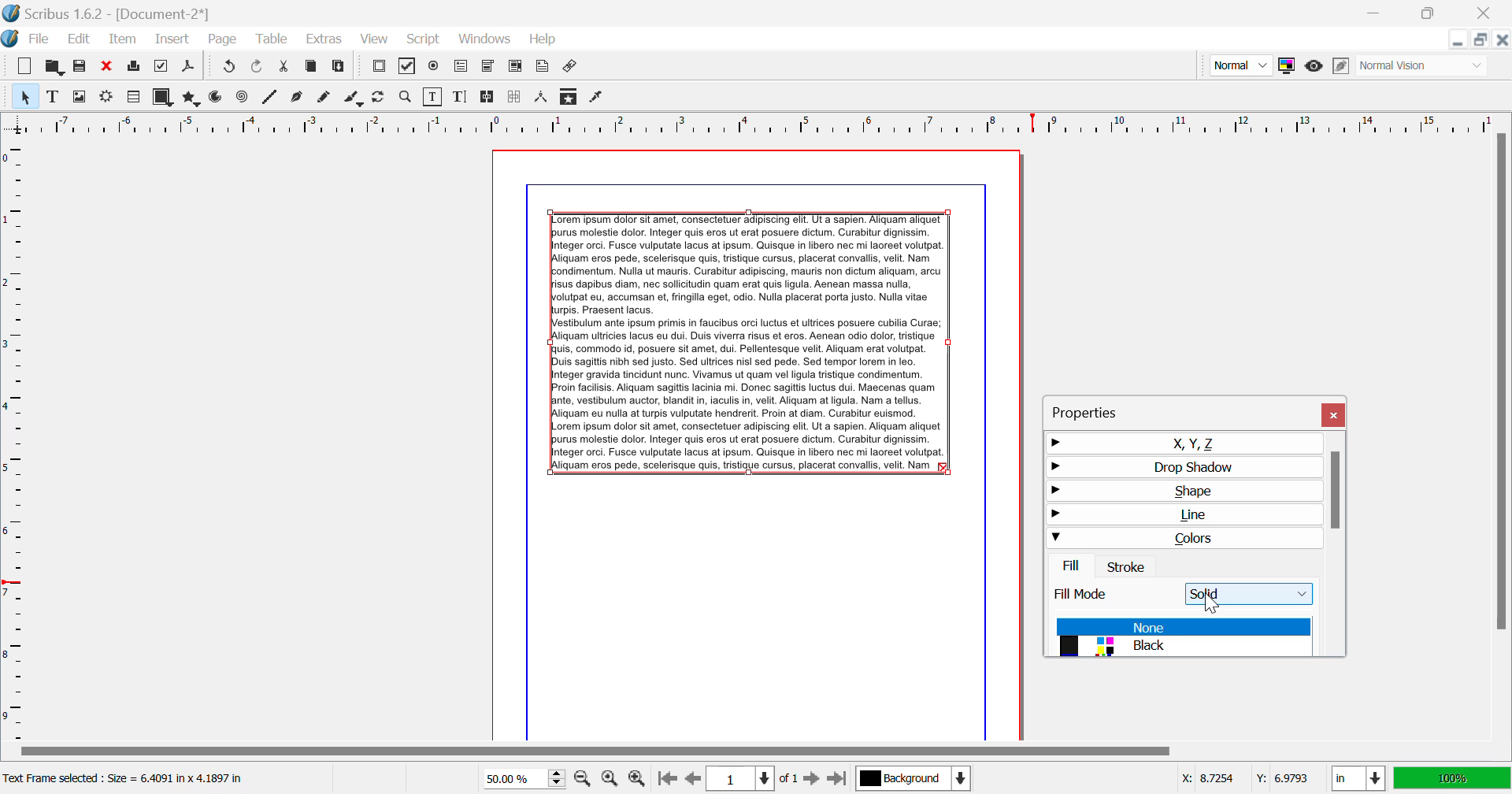 The width and height of the screenshot is (1512, 794). What do you see at coordinates (162, 97) in the screenshot?
I see `Shapes` at bounding box center [162, 97].